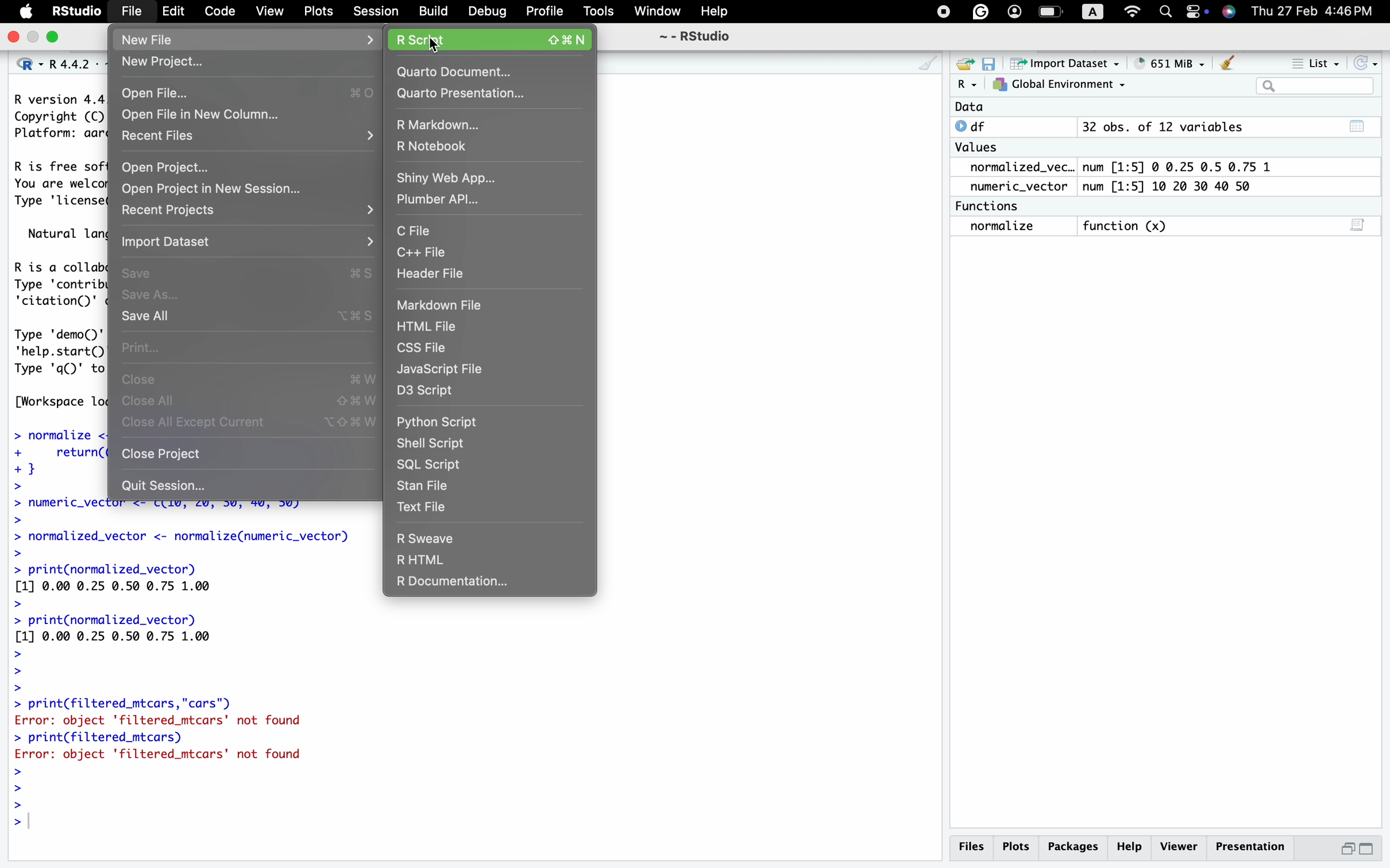  I want to click on Profile, so click(541, 11).